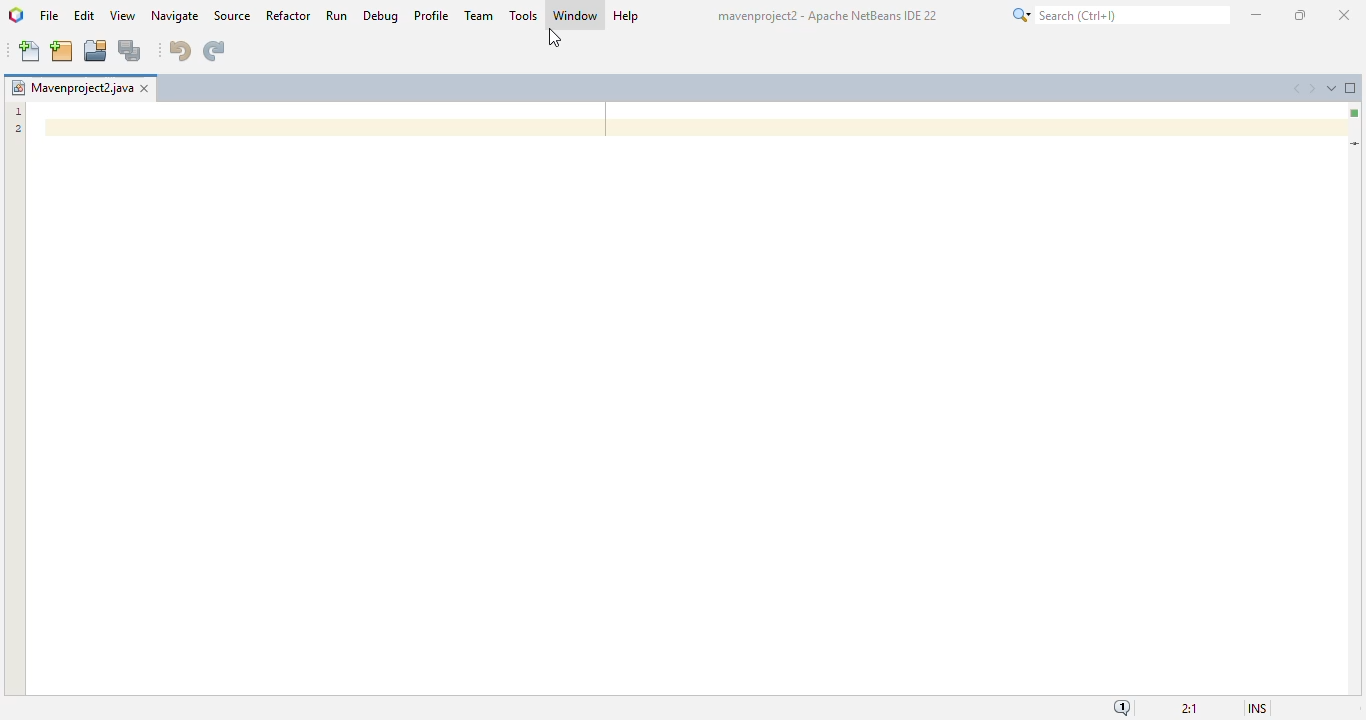 Image resolution: width=1366 pixels, height=720 pixels. I want to click on save all, so click(130, 51).